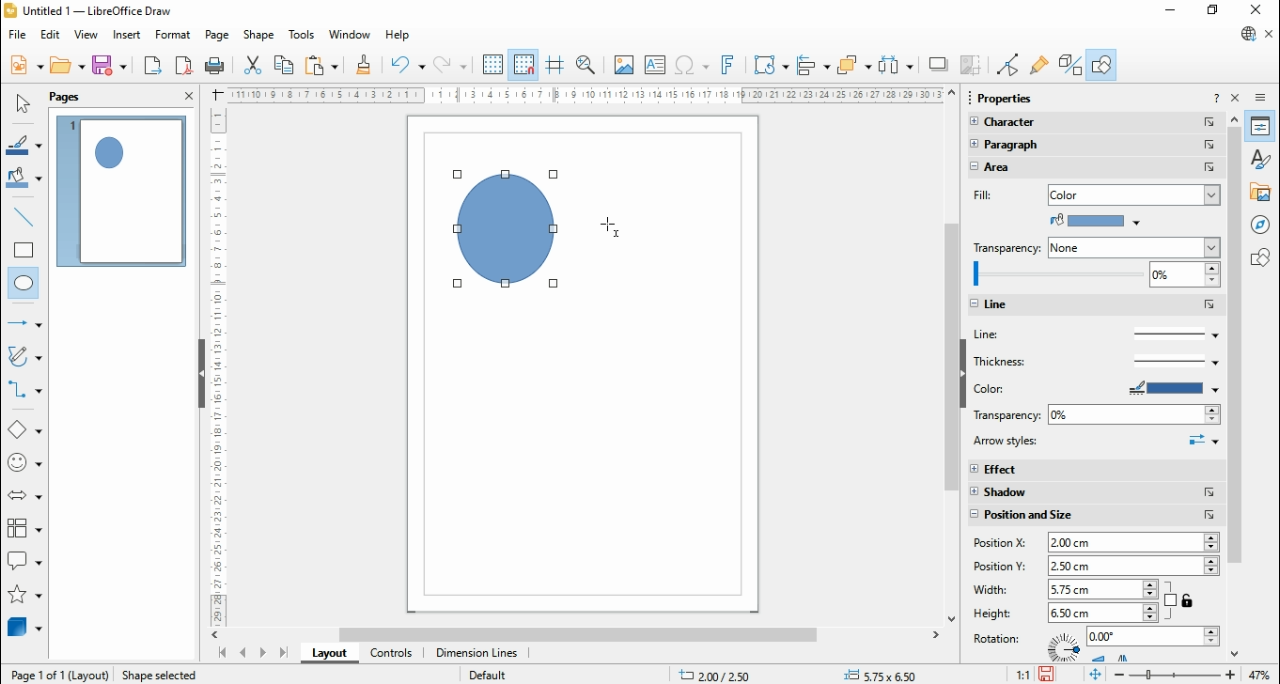  What do you see at coordinates (221, 654) in the screenshot?
I see `first page` at bounding box center [221, 654].